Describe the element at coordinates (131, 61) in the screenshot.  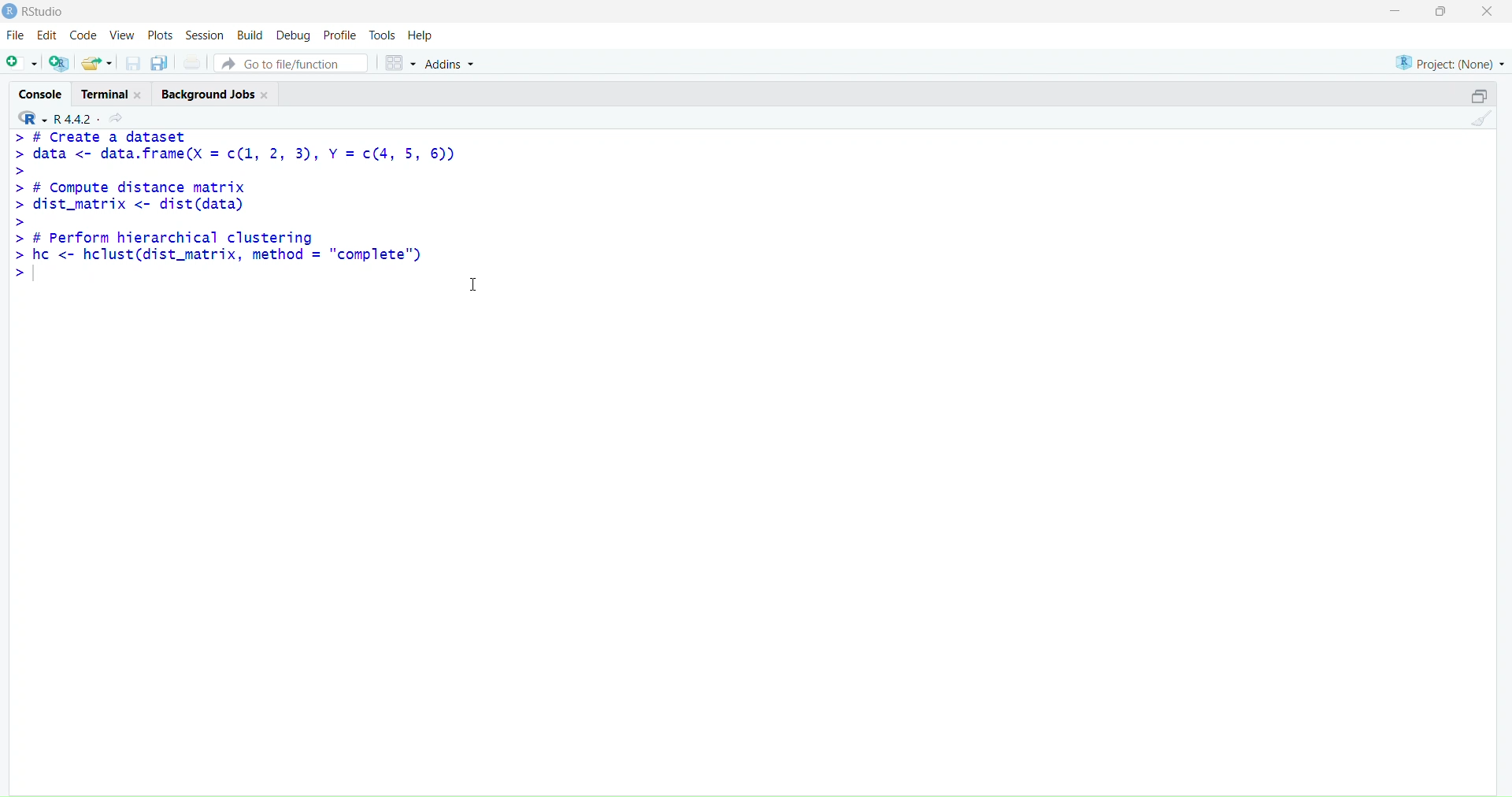
I see `Save current document (Ctrl + S)` at that location.